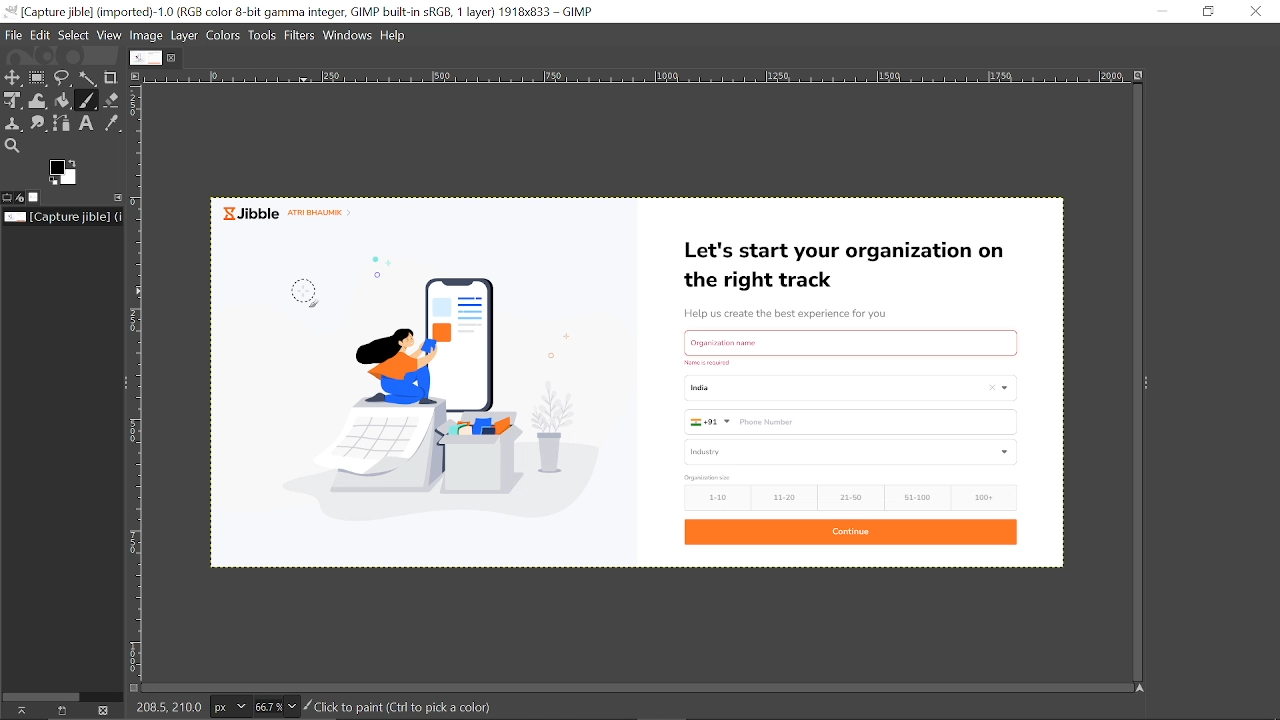 This screenshot has width=1280, height=720. What do you see at coordinates (63, 102) in the screenshot?
I see `bucket fill tool` at bounding box center [63, 102].